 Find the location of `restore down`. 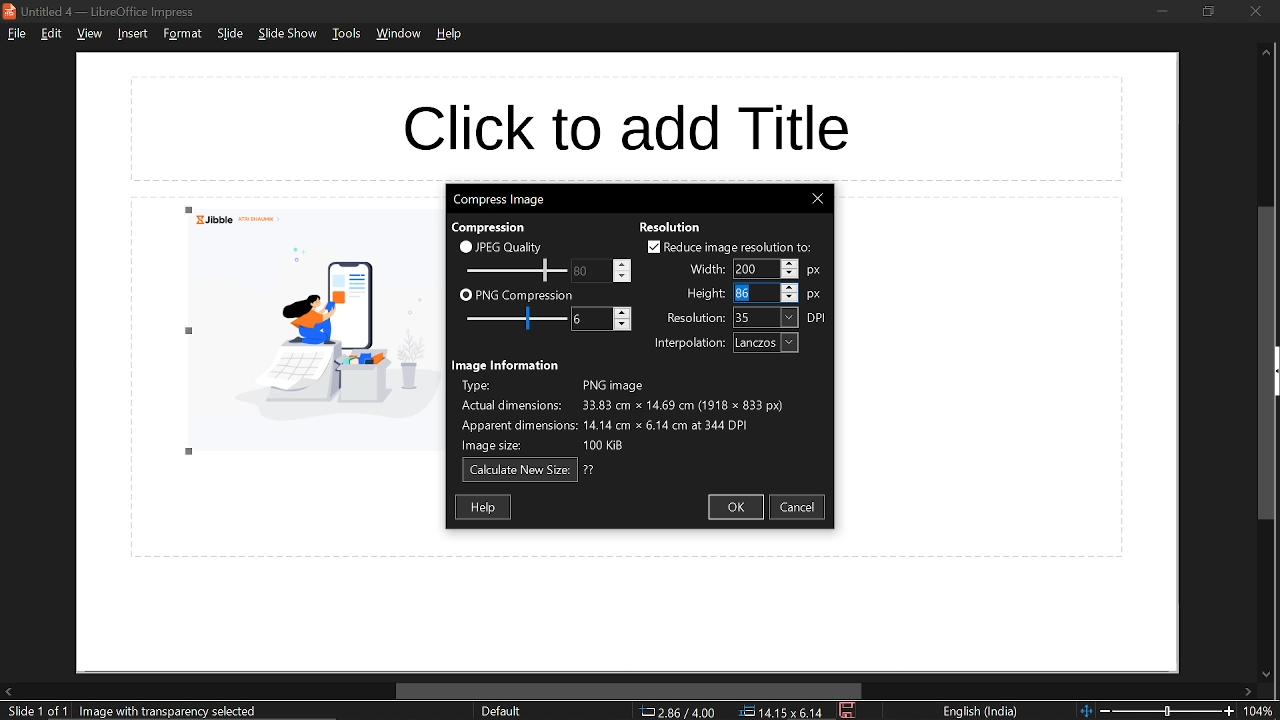

restore down is located at coordinates (1207, 11).